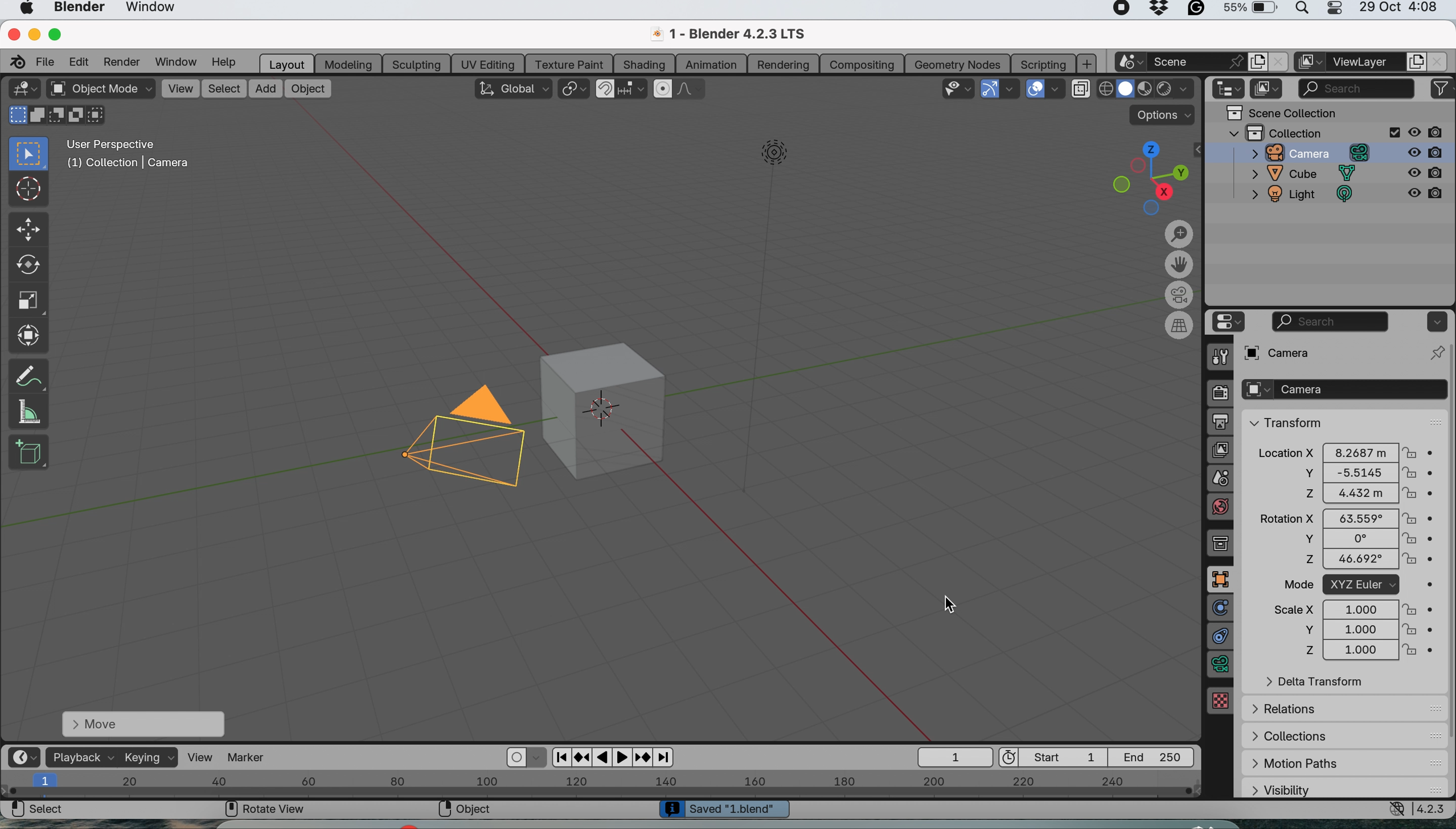 The width and height of the screenshot is (1456, 829). Describe the element at coordinates (1426, 174) in the screenshot. I see `disable in render` at that location.